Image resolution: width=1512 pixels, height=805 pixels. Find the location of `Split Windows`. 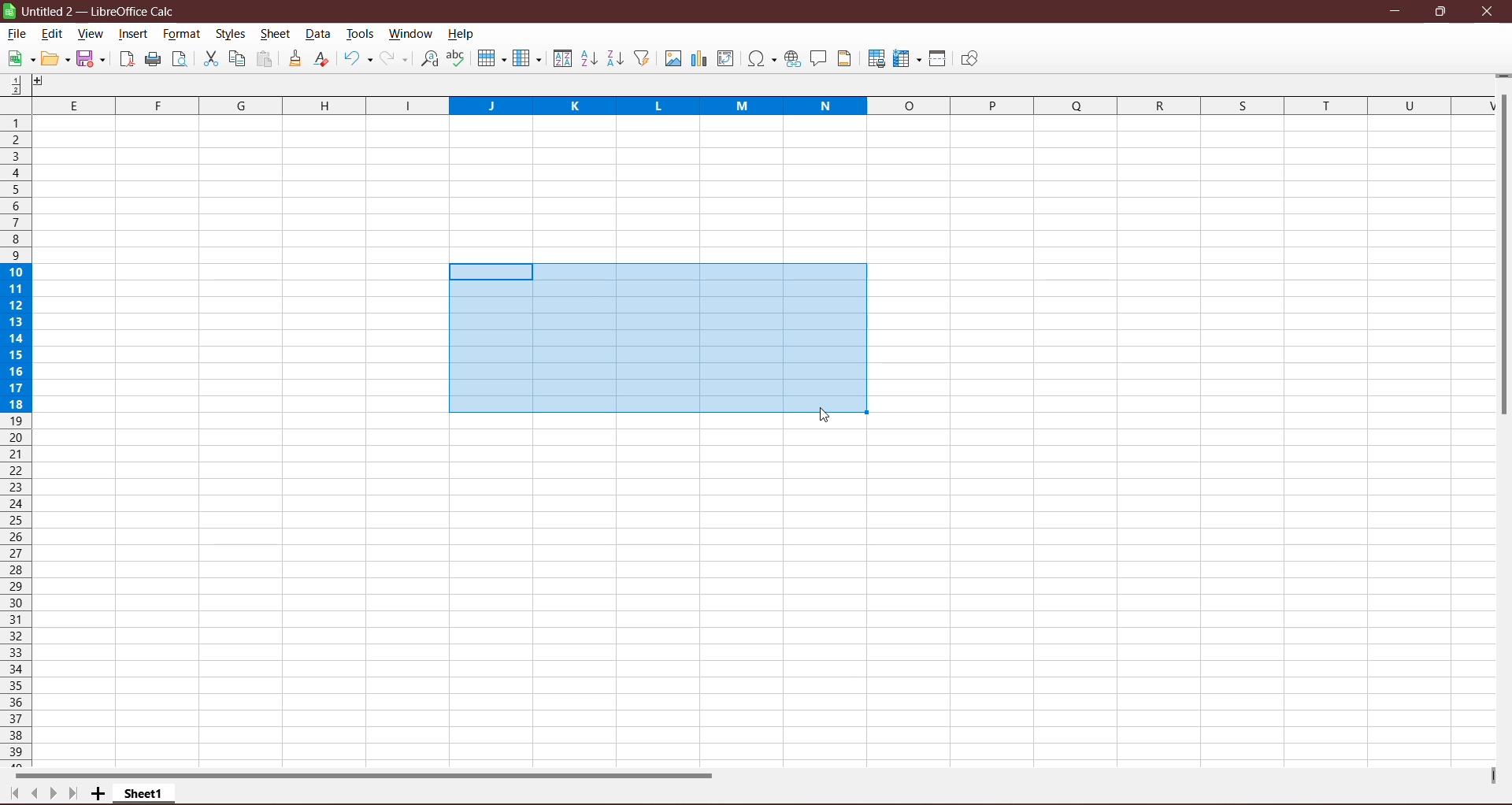

Split Windows is located at coordinates (938, 58).